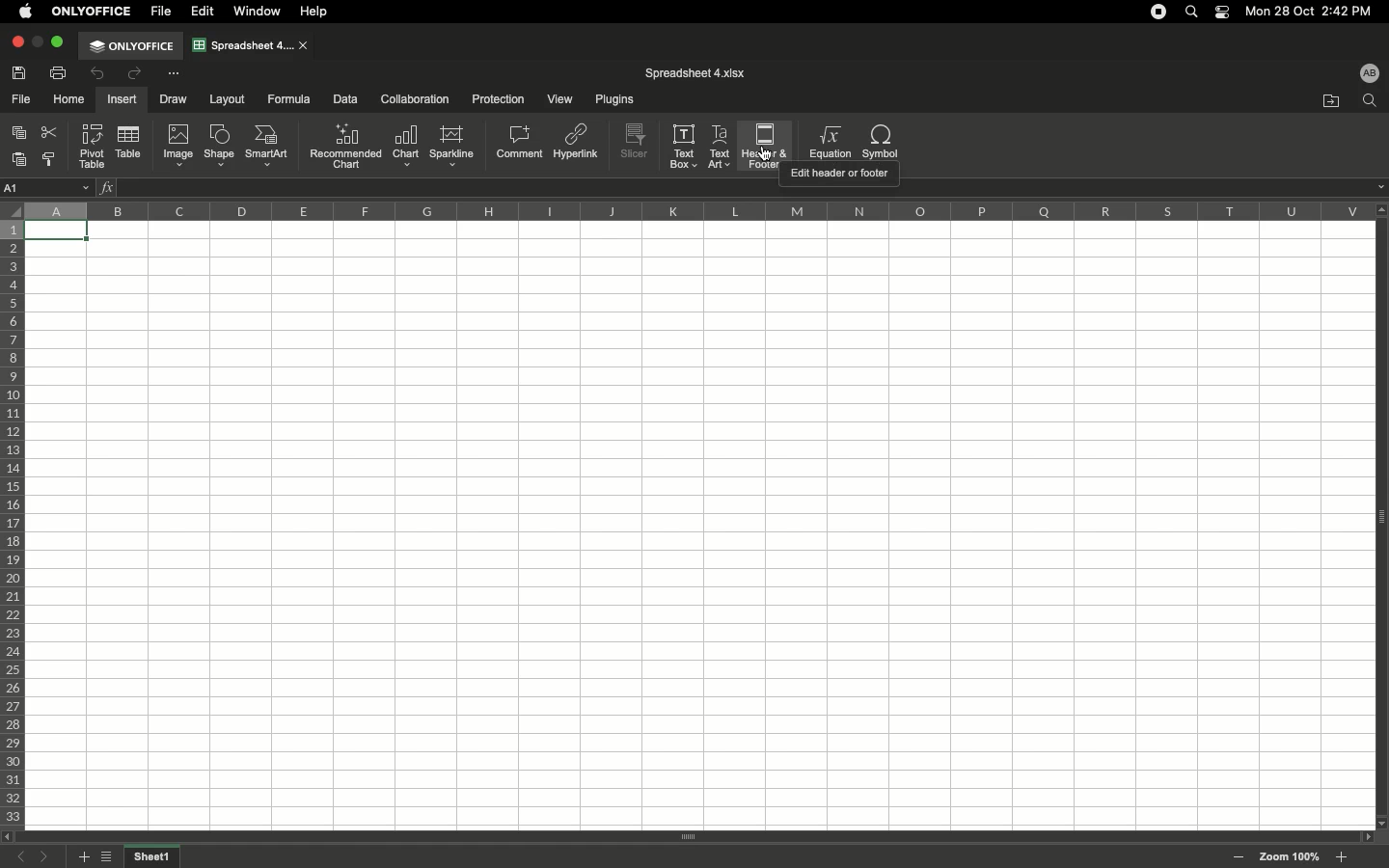  Describe the element at coordinates (1380, 209) in the screenshot. I see `scroll up` at that location.